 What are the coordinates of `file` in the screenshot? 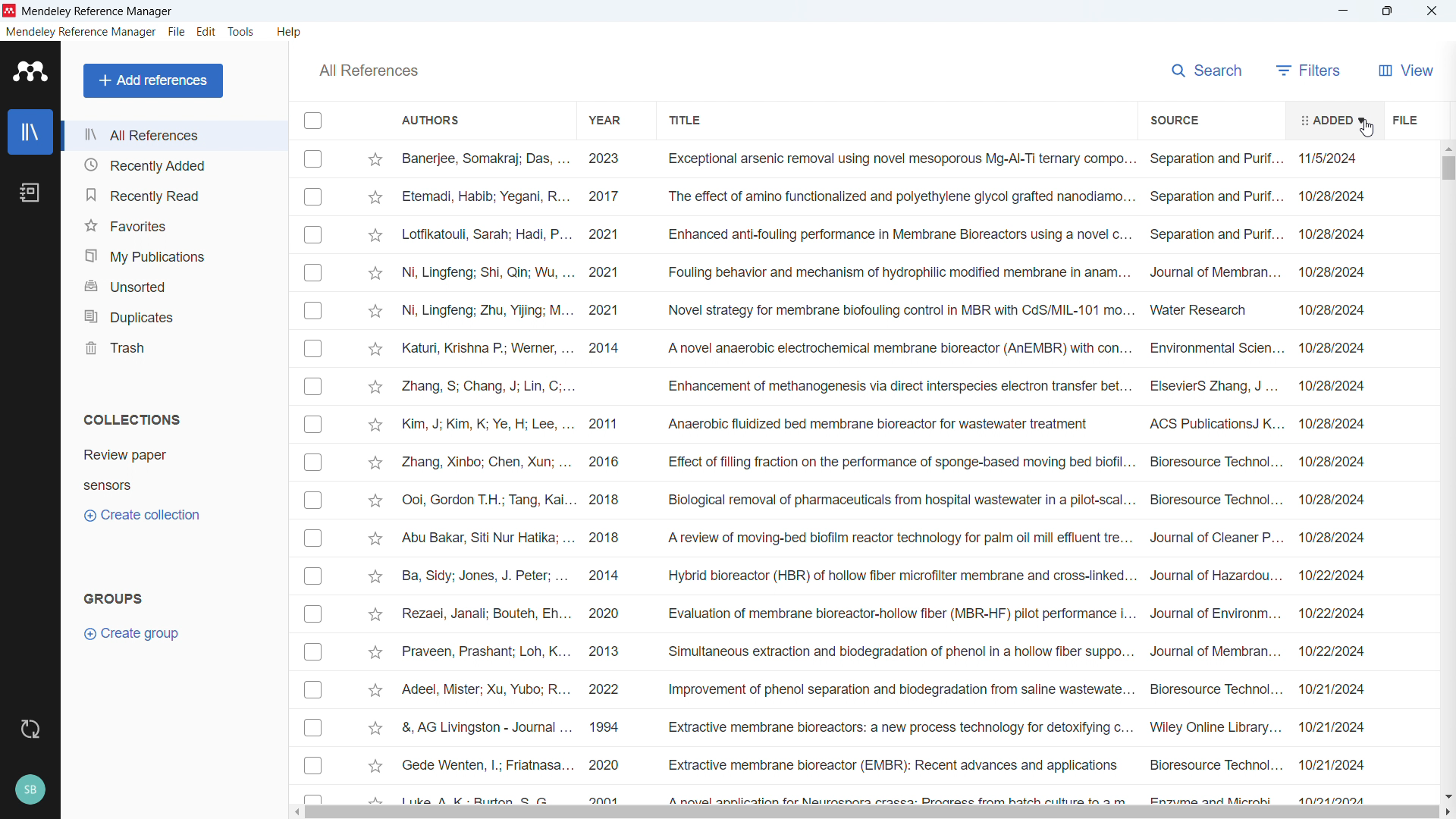 It's located at (176, 32).